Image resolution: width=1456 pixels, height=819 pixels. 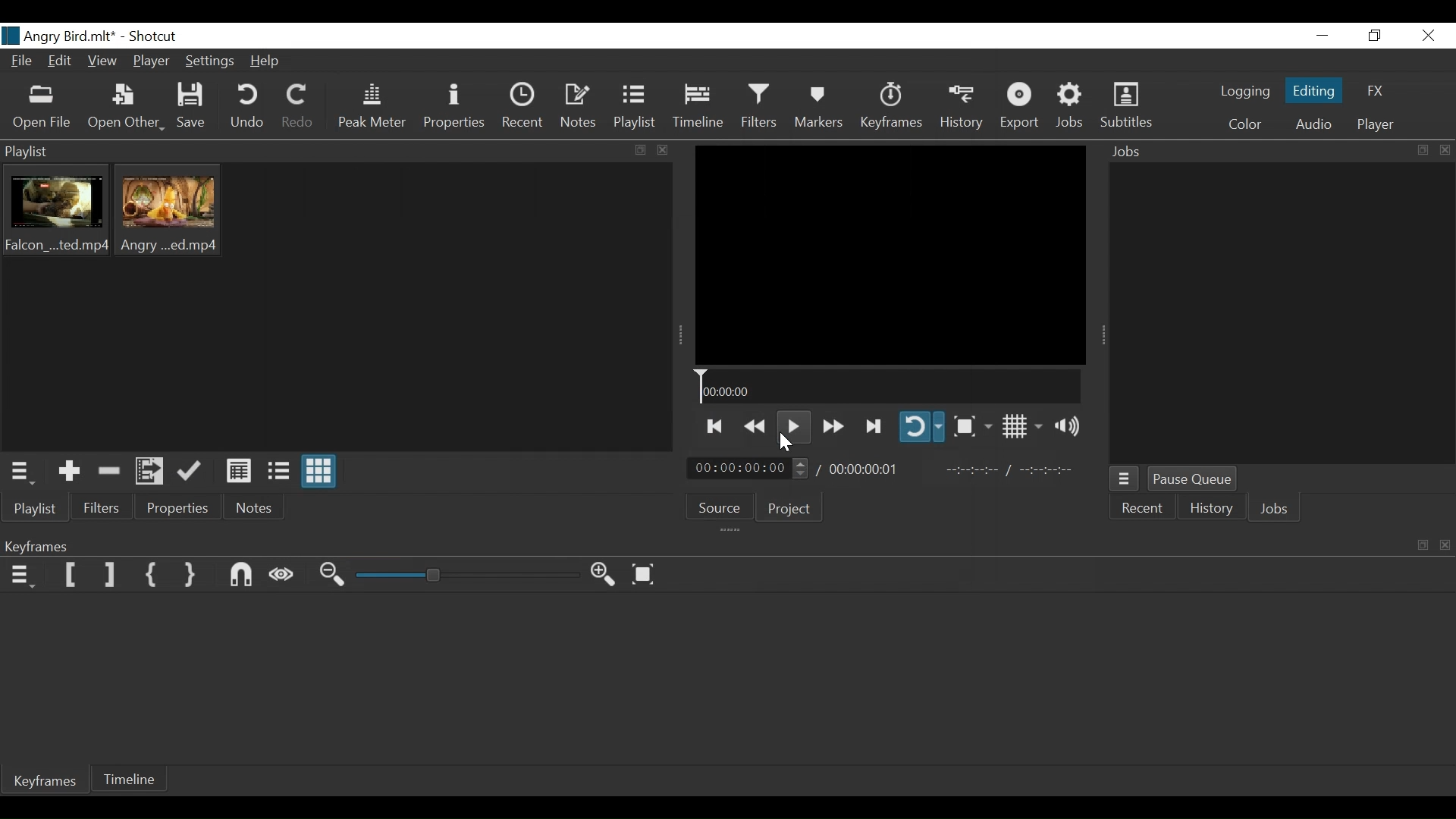 What do you see at coordinates (111, 575) in the screenshot?
I see `Set Filter last` at bounding box center [111, 575].